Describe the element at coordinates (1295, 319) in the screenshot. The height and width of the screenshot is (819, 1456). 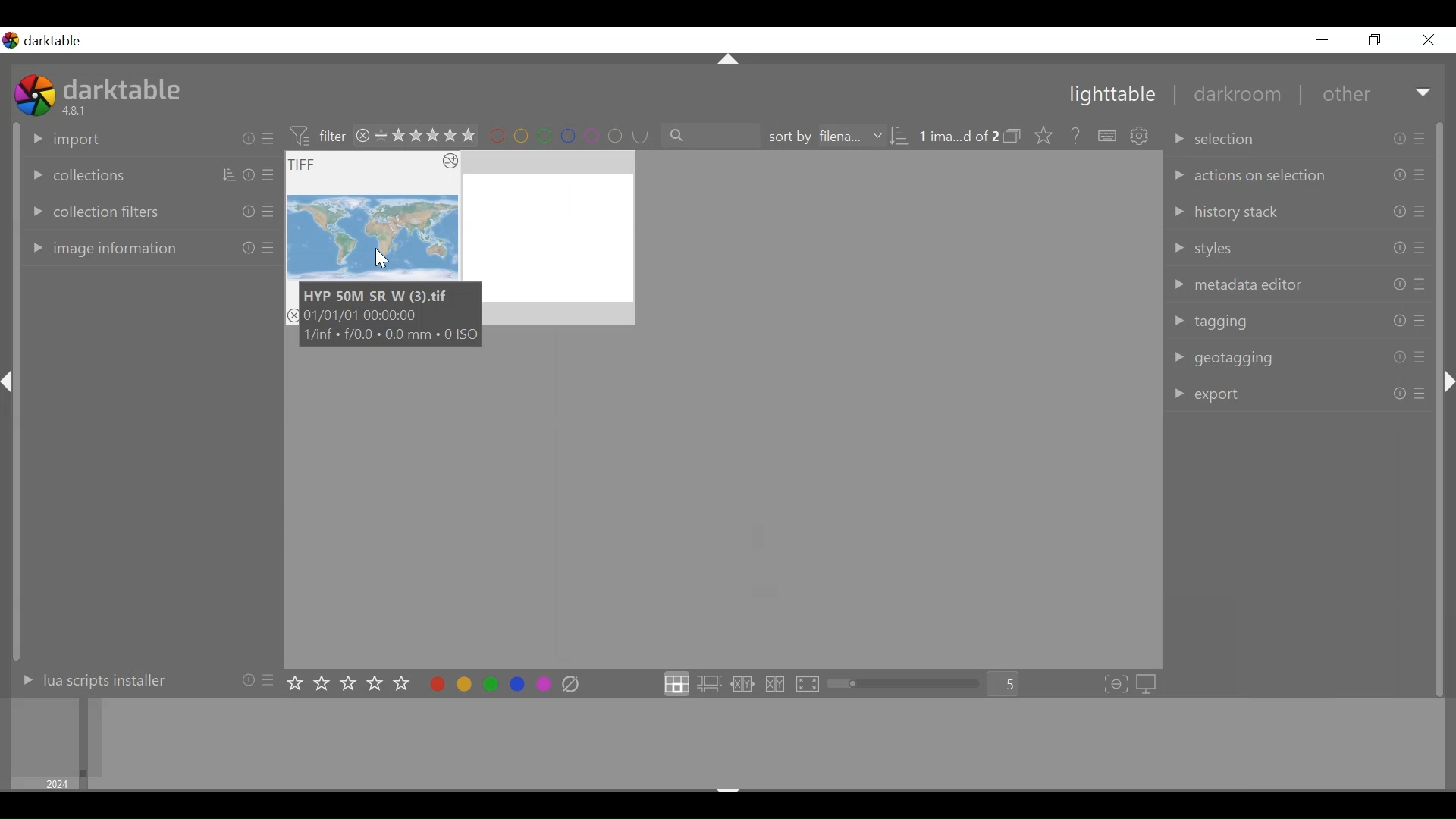
I see `tagging` at that location.